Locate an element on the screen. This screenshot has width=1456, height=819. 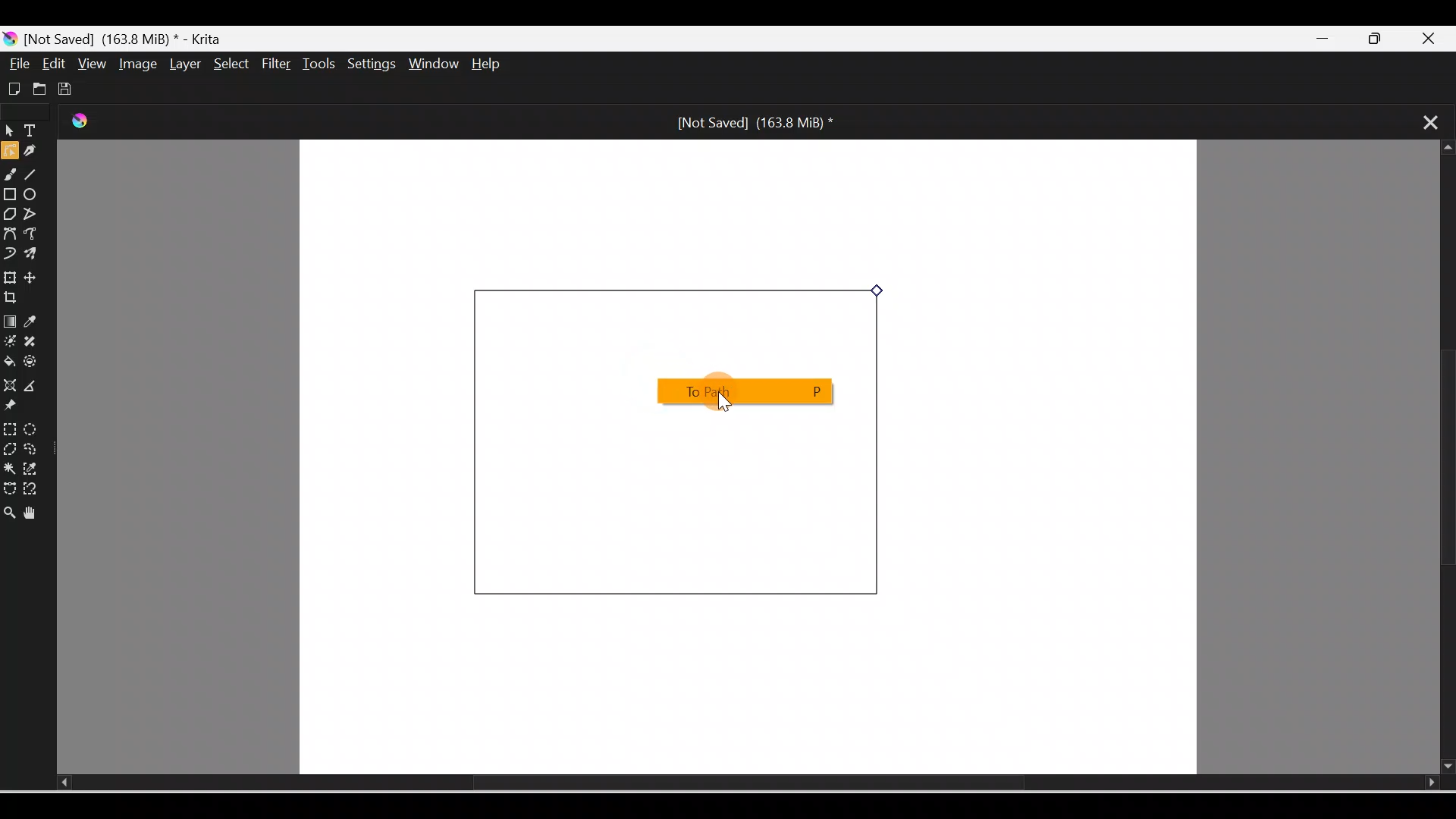
Freehand path tool is located at coordinates (35, 235).